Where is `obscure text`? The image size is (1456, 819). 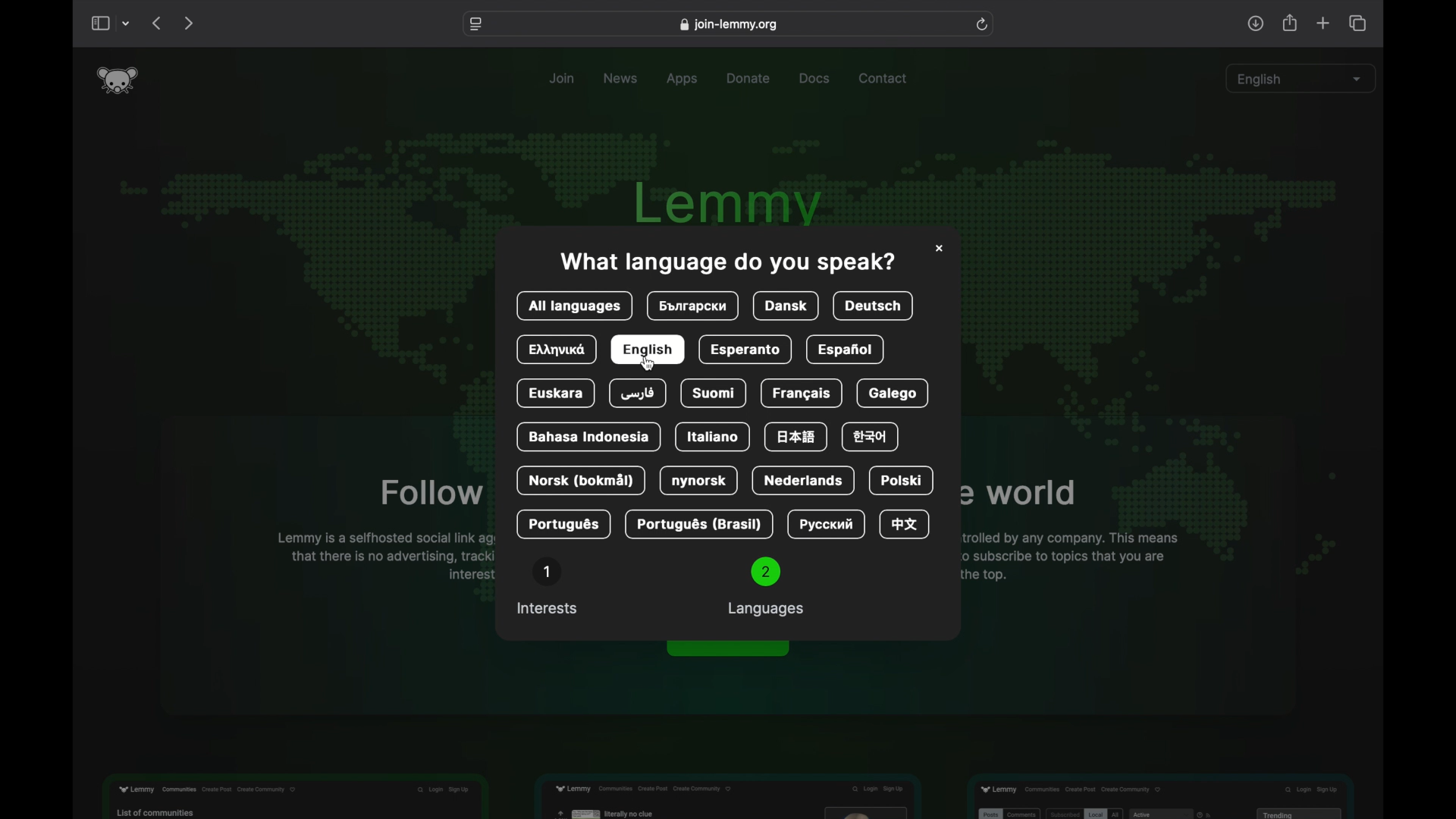
obscure text is located at coordinates (1069, 555).